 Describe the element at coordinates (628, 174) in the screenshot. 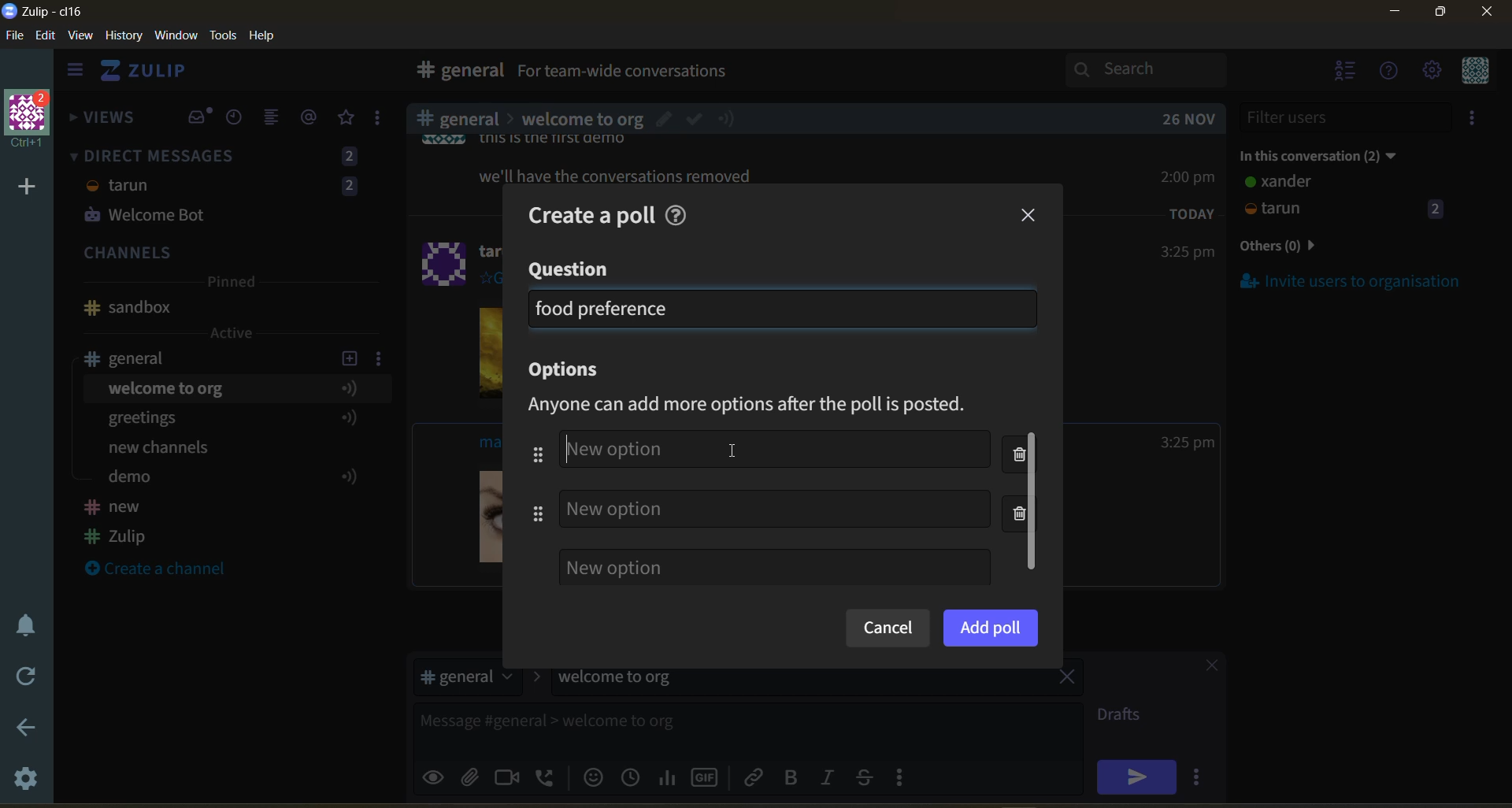

I see `` at that location.